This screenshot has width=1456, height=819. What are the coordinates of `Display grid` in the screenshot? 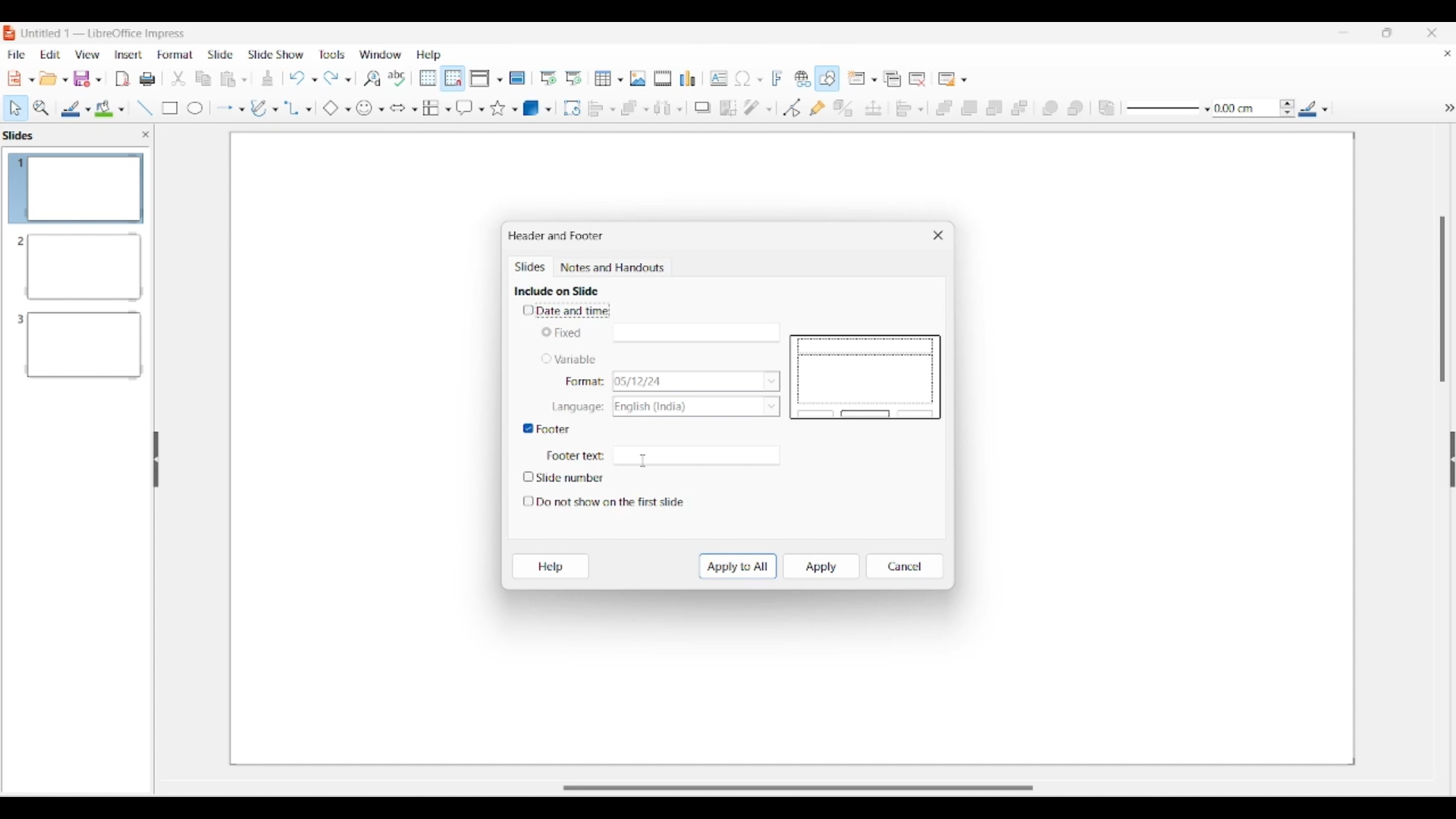 It's located at (428, 78).